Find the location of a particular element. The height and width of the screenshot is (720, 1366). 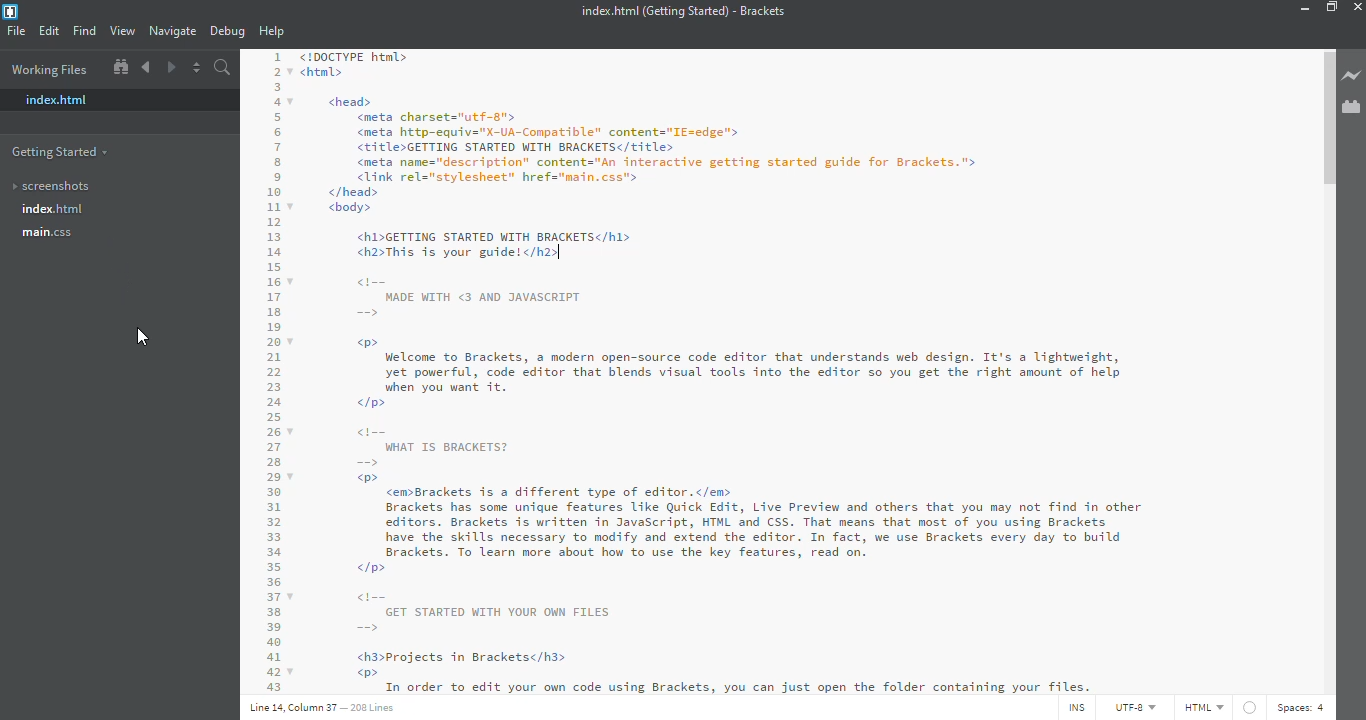

screenshots is located at coordinates (52, 186).